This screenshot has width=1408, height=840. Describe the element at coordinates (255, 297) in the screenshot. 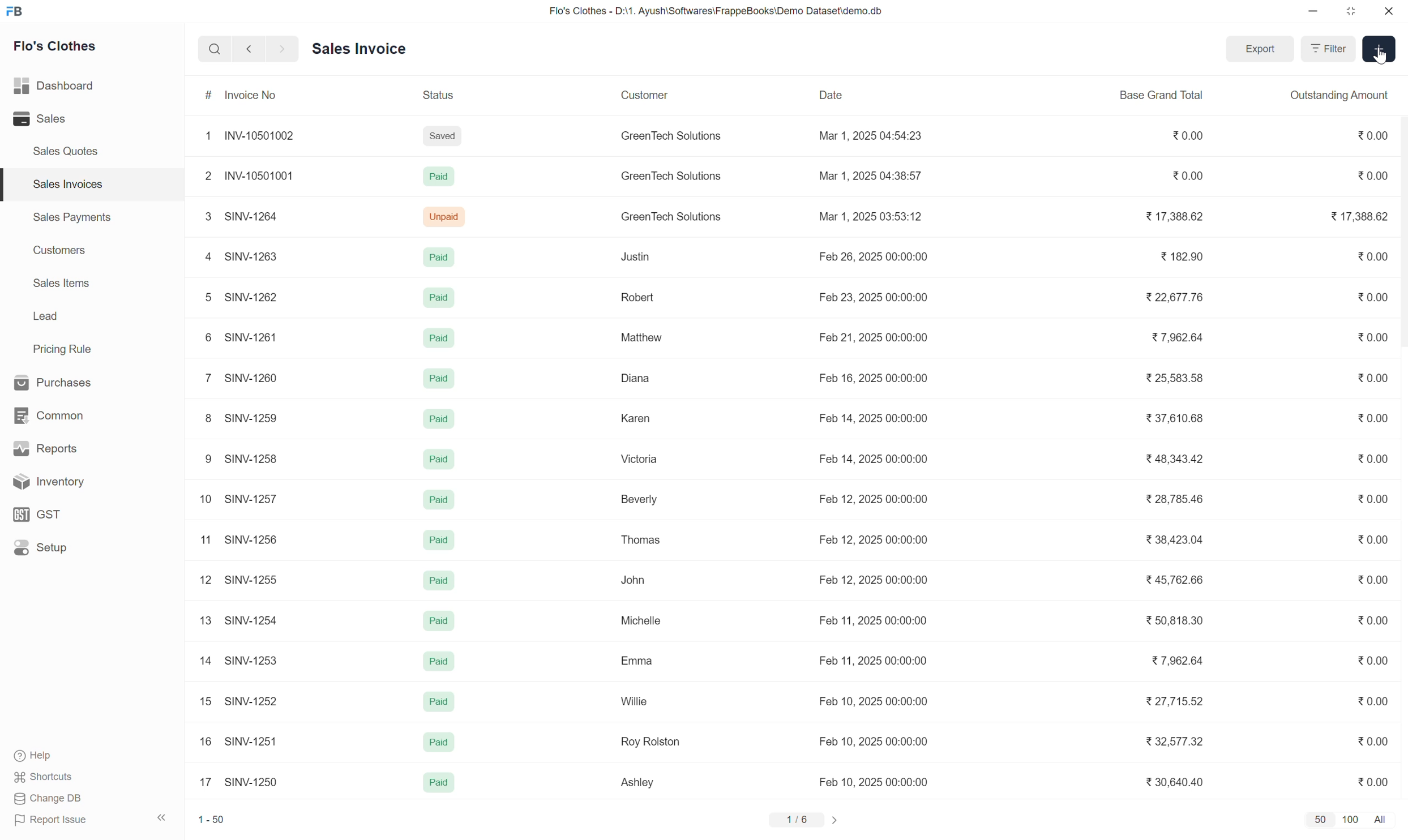

I see `SINV-1262` at that location.